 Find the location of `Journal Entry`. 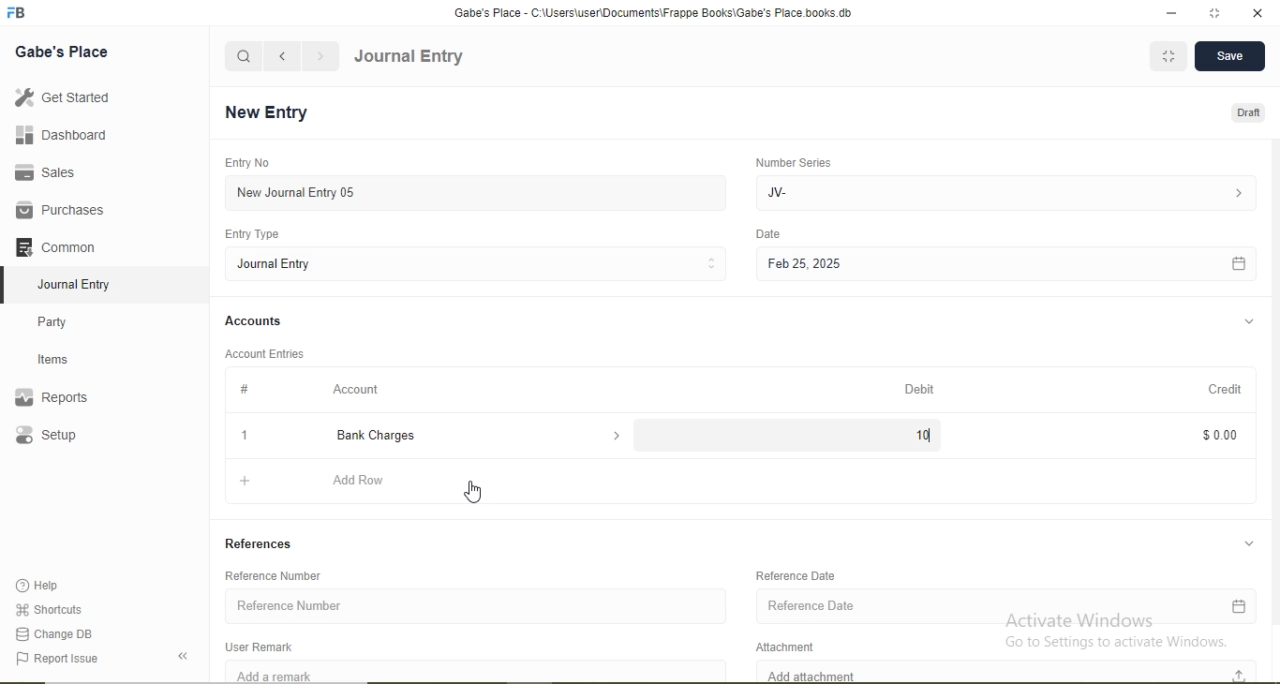

Journal Entry is located at coordinates (80, 282).